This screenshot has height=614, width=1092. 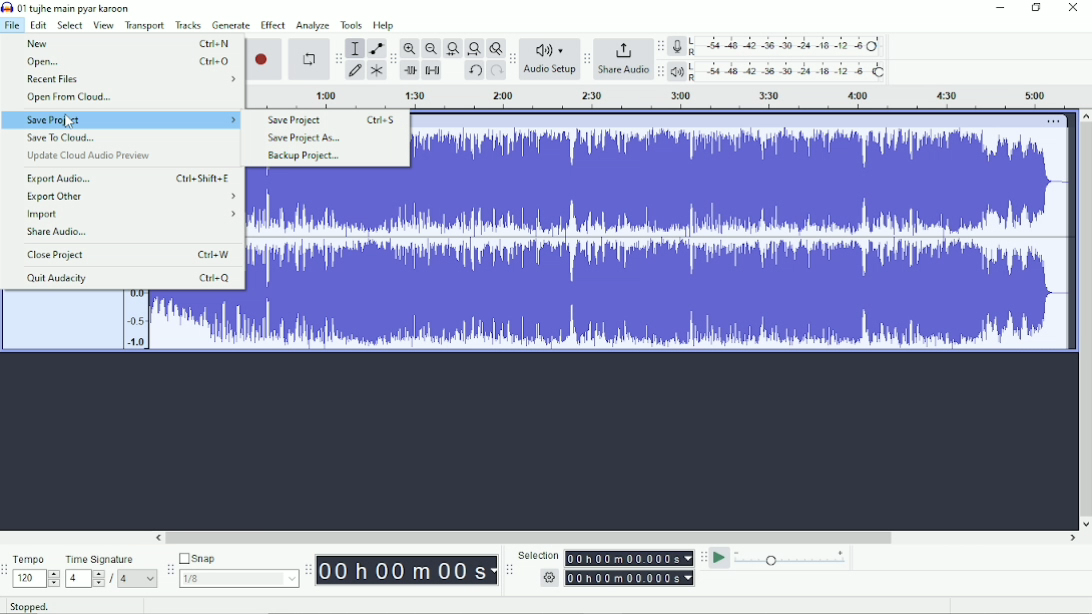 What do you see at coordinates (127, 79) in the screenshot?
I see `Recent Files` at bounding box center [127, 79].